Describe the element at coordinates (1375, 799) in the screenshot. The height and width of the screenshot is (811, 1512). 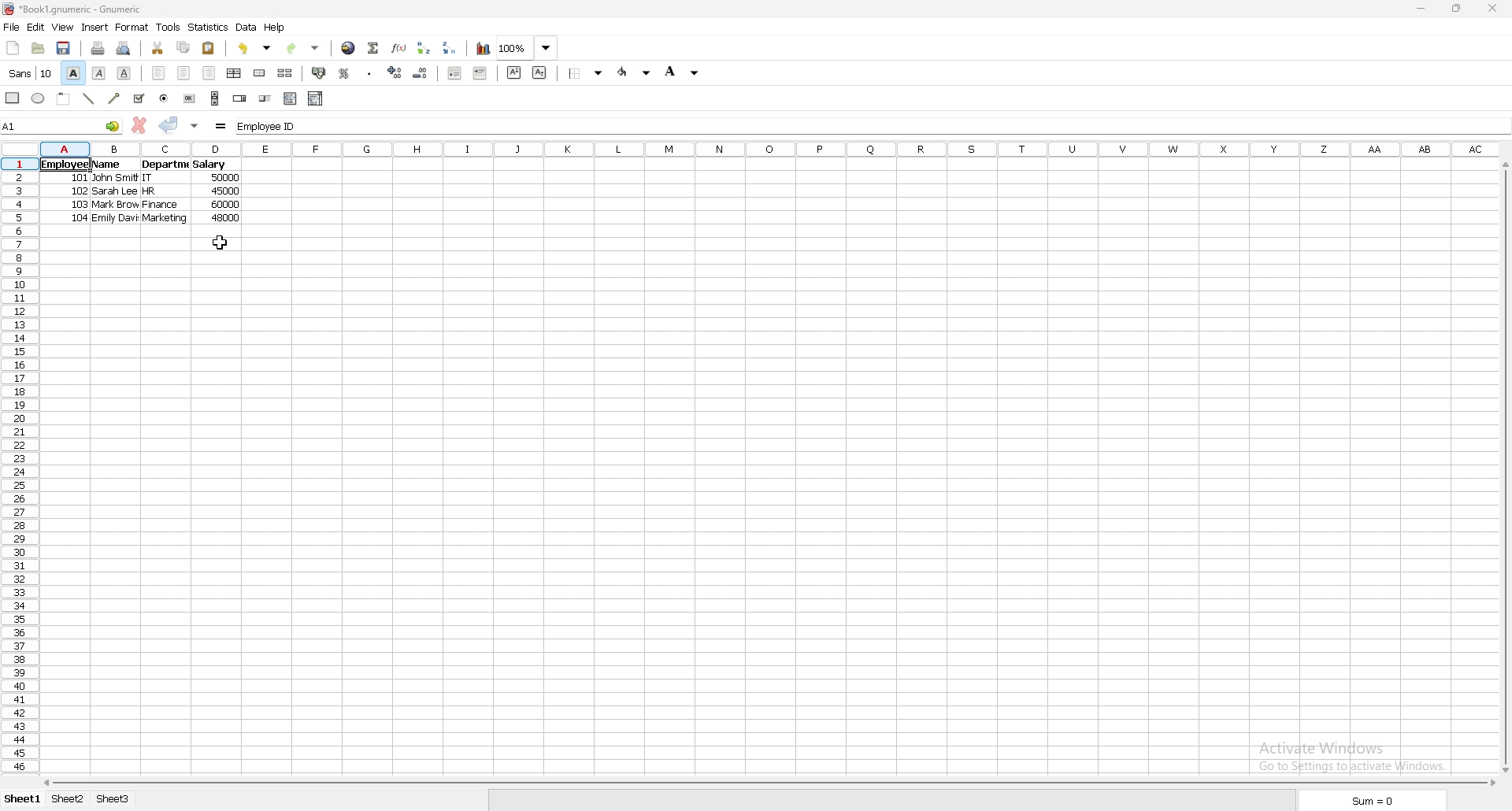
I see `sum` at that location.